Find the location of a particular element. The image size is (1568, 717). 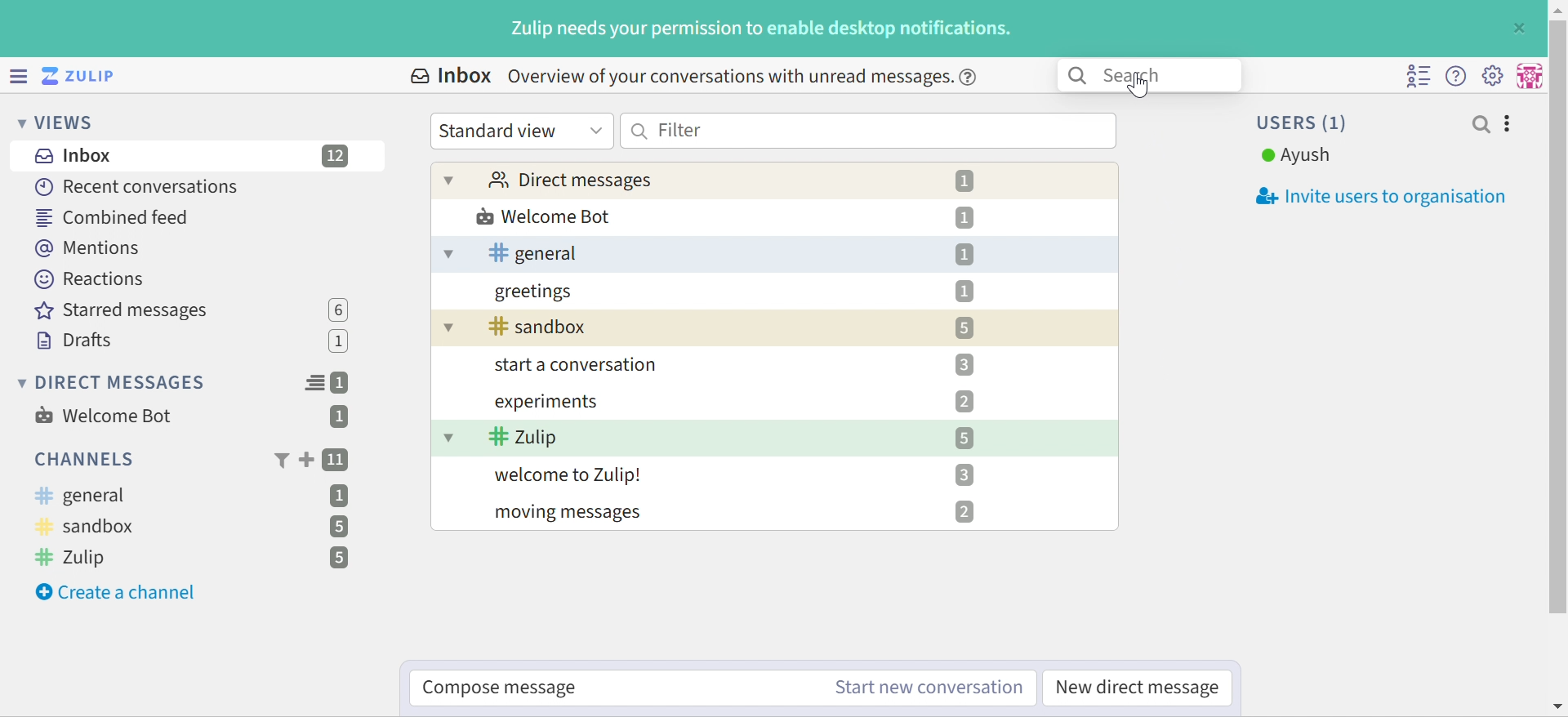

Inbox is located at coordinates (71, 156).